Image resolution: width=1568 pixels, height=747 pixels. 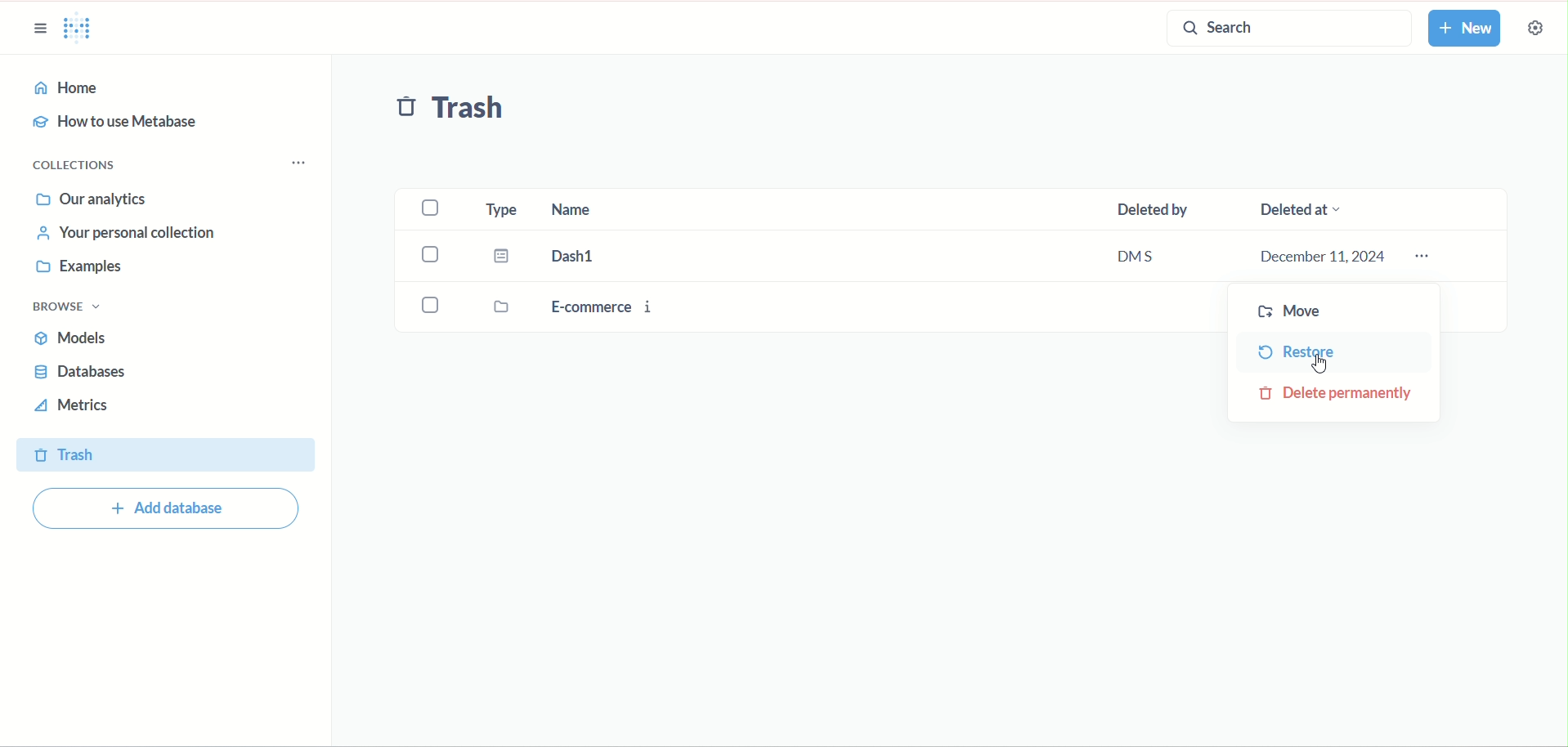 I want to click on December 11,2024, so click(x=1322, y=257).